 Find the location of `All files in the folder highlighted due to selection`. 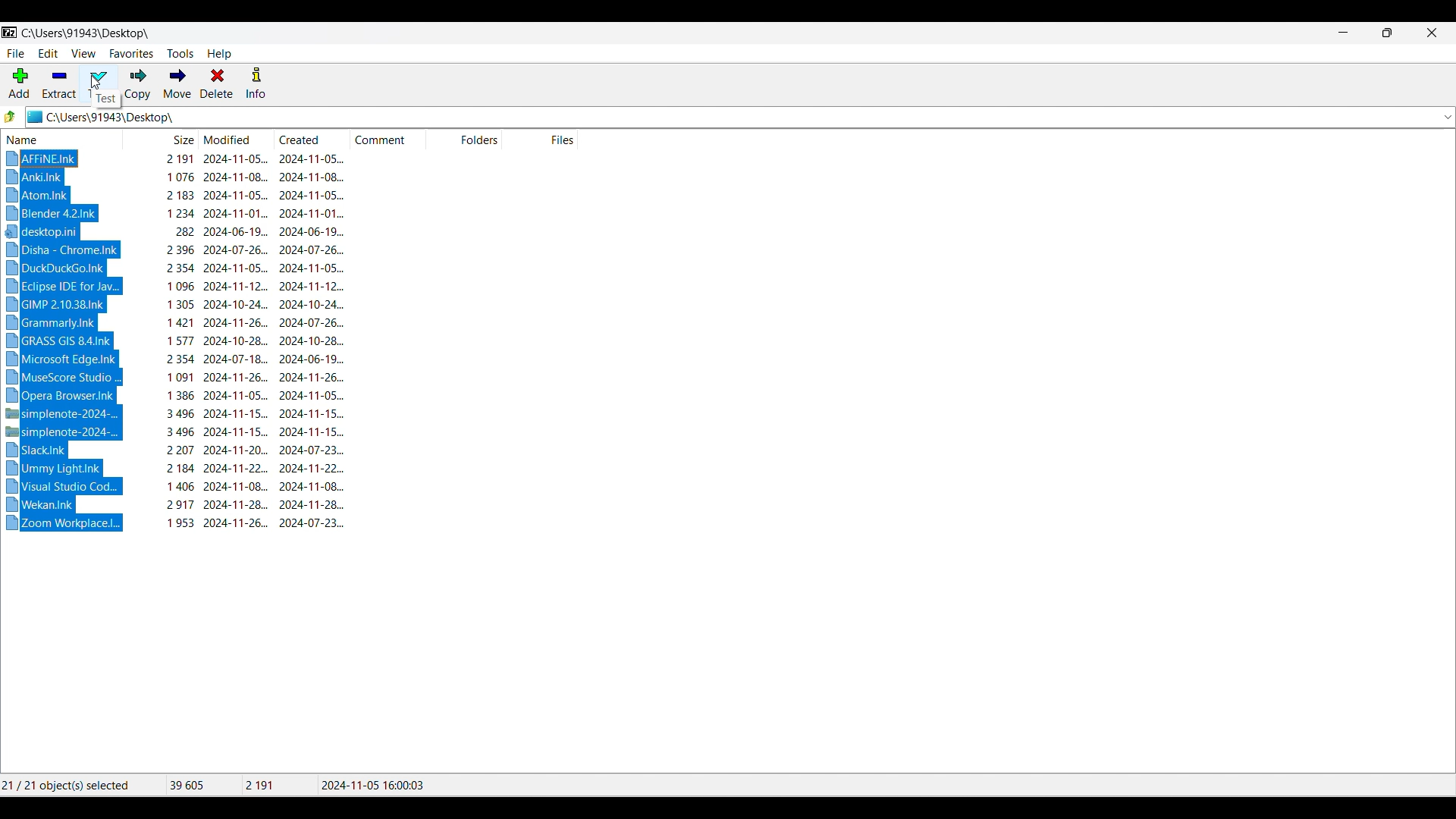

All files in the folder highlighted due to selection is located at coordinates (69, 340).